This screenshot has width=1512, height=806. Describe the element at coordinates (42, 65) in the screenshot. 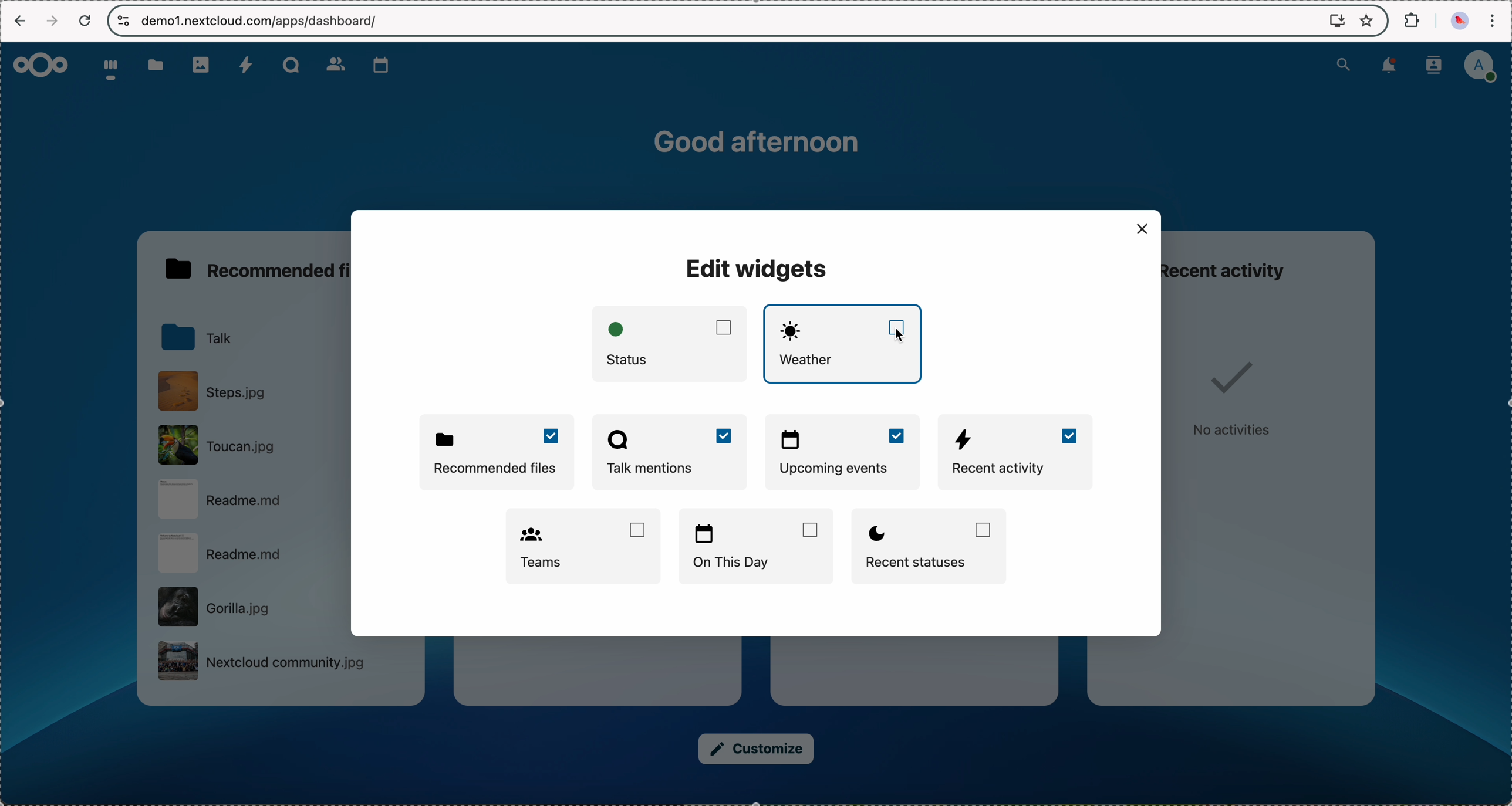

I see `Nextcloud` at that location.